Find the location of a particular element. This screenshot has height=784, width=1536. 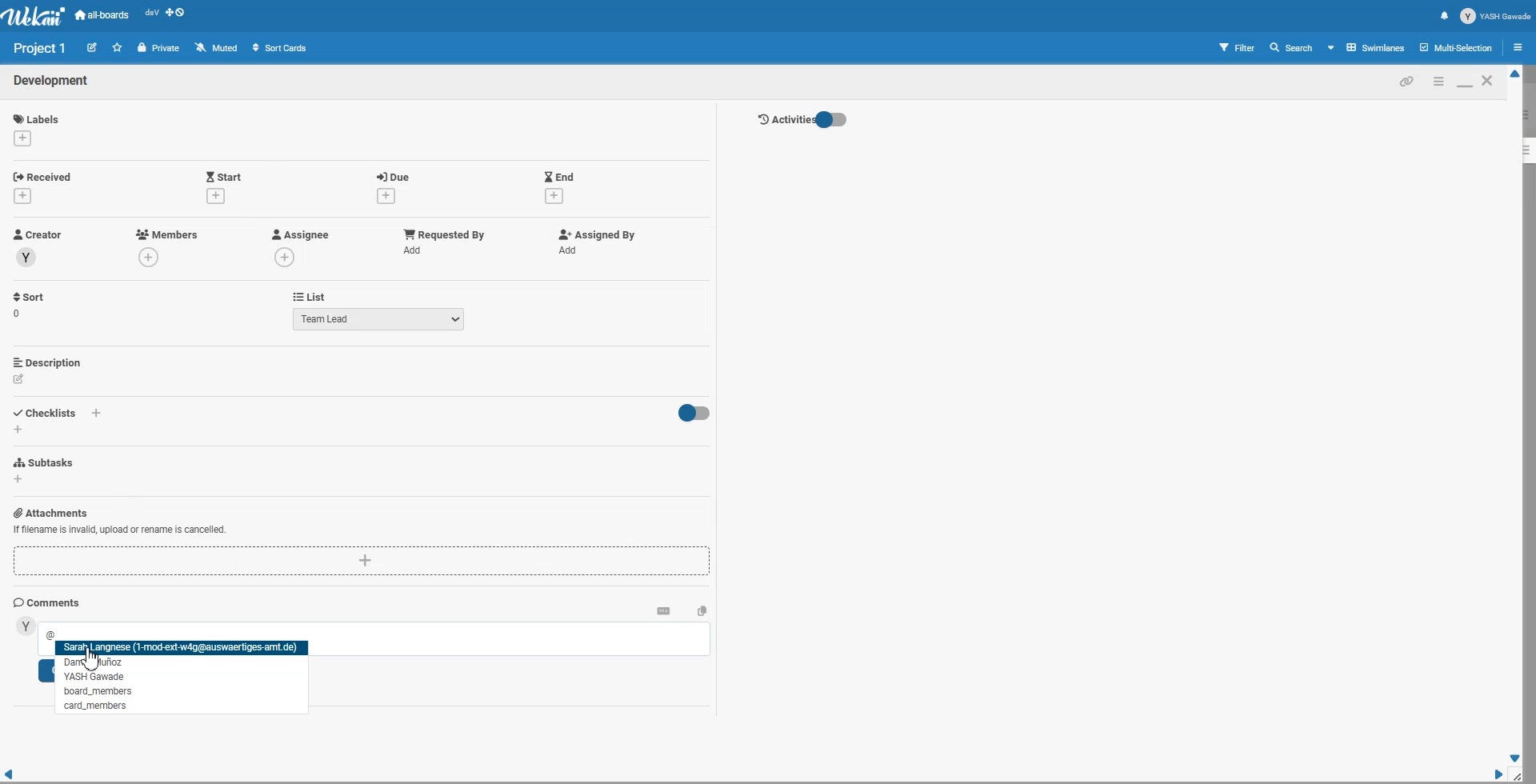

Add Received is located at coordinates (46, 175).